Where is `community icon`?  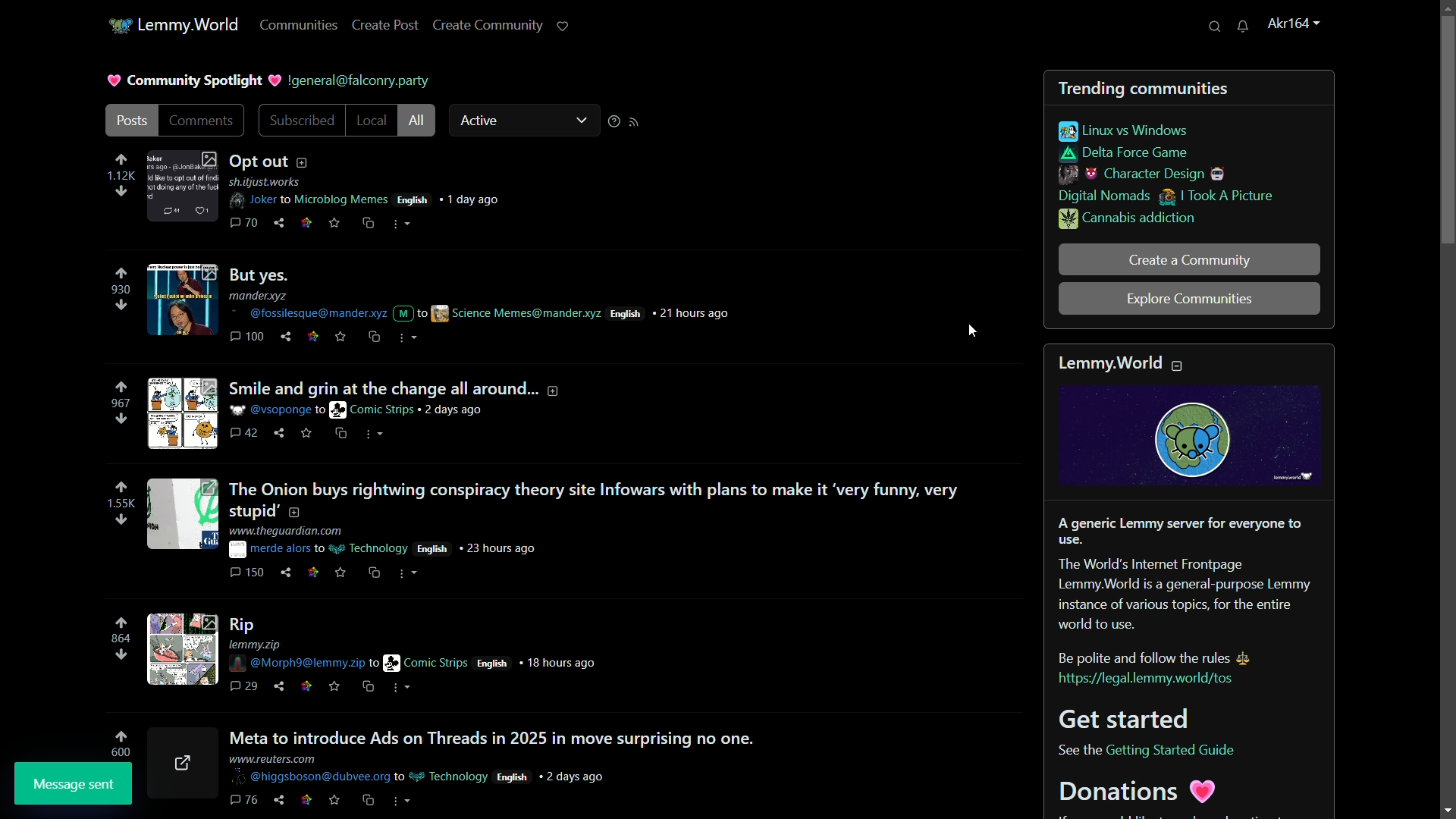
community icon is located at coordinates (118, 24).